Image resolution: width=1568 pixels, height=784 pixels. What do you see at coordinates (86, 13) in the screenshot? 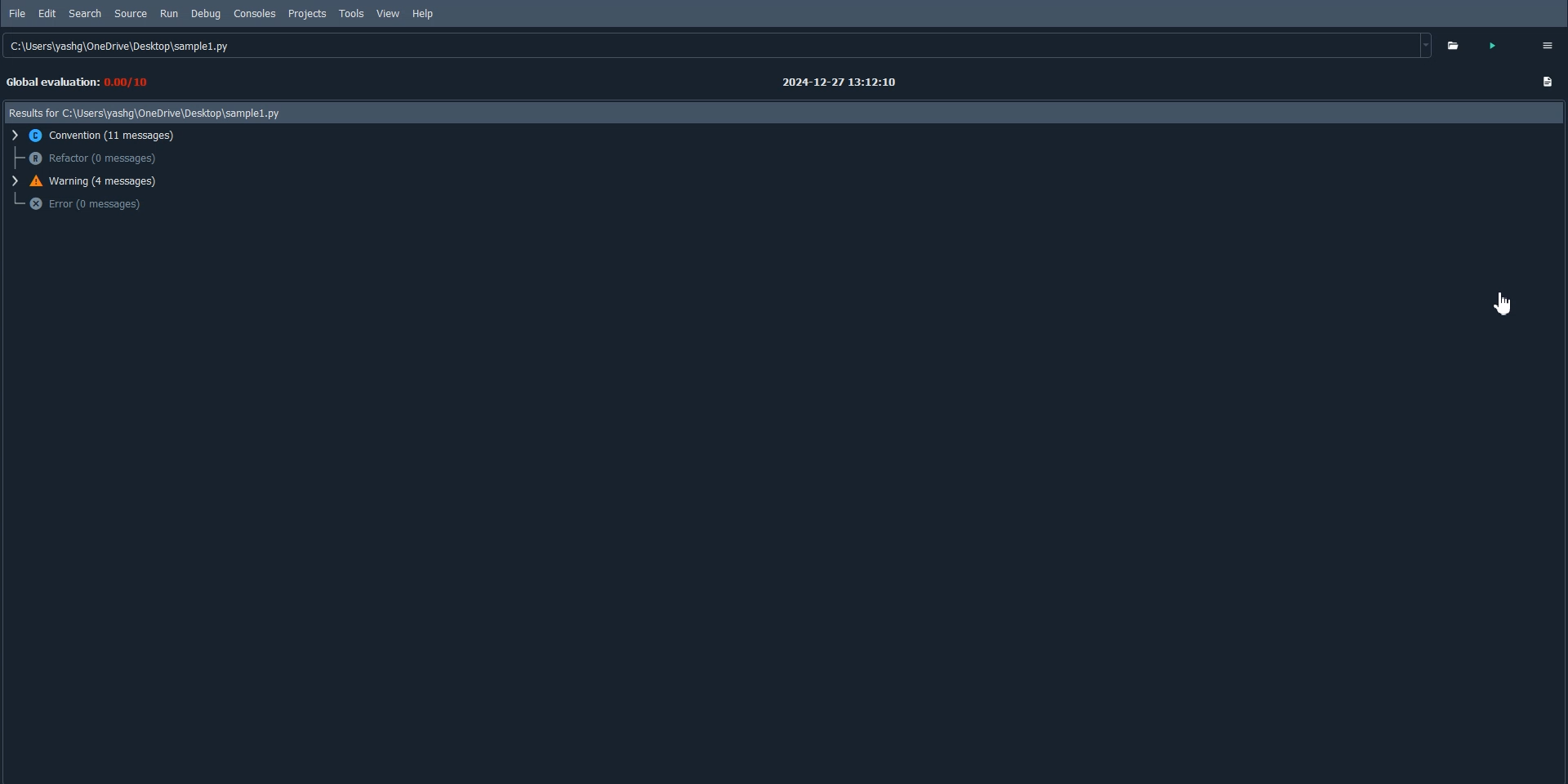
I see `Search` at bounding box center [86, 13].